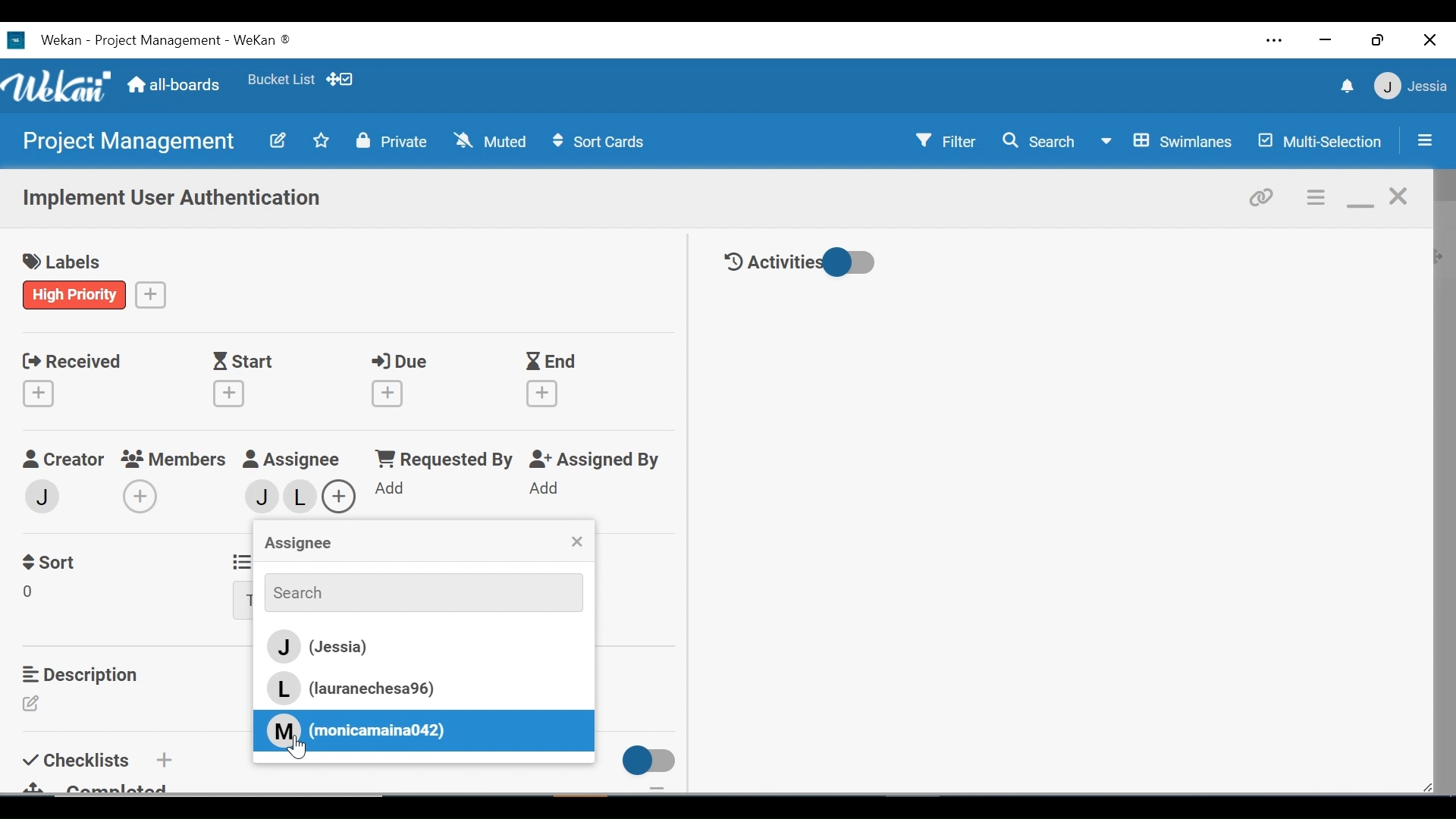 This screenshot has width=1456, height=819. I want to click on (jessia), so click(420, 648).